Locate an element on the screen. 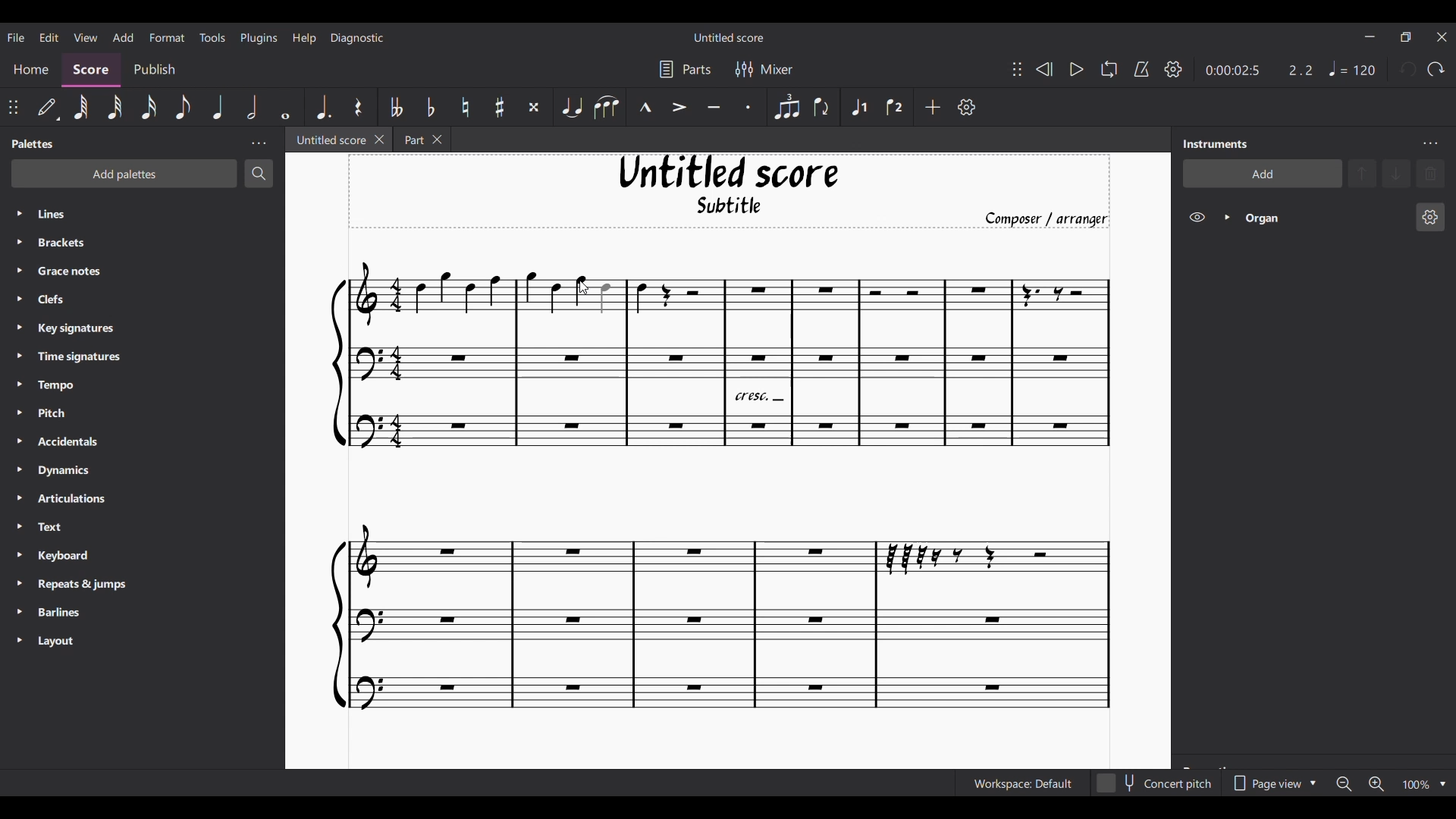  Redo is located at coordinates (1435, 70).